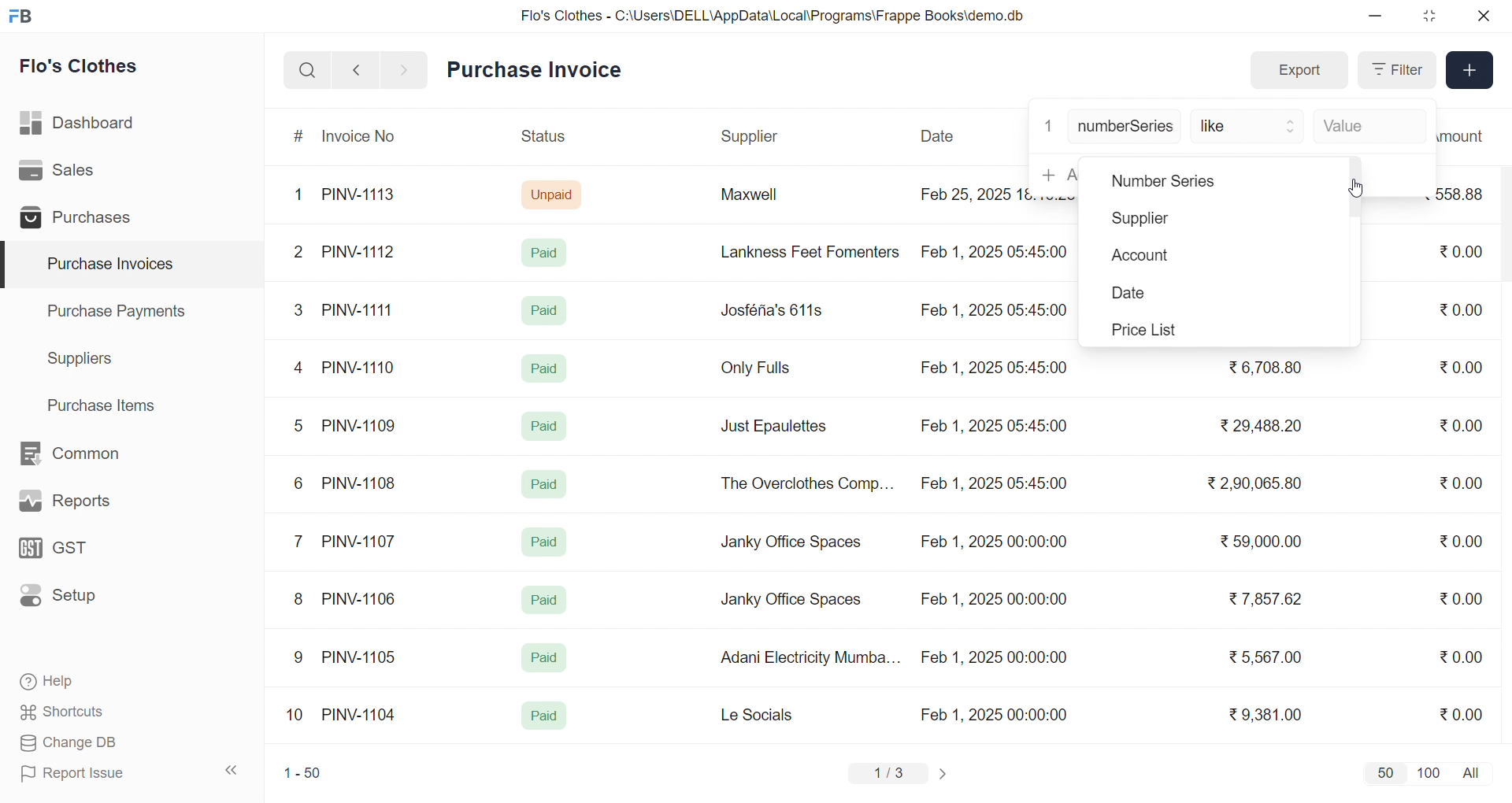 The height and width of the screenshot is (803, 1512). I want to click on ₹0.00, so click(1461, 367).